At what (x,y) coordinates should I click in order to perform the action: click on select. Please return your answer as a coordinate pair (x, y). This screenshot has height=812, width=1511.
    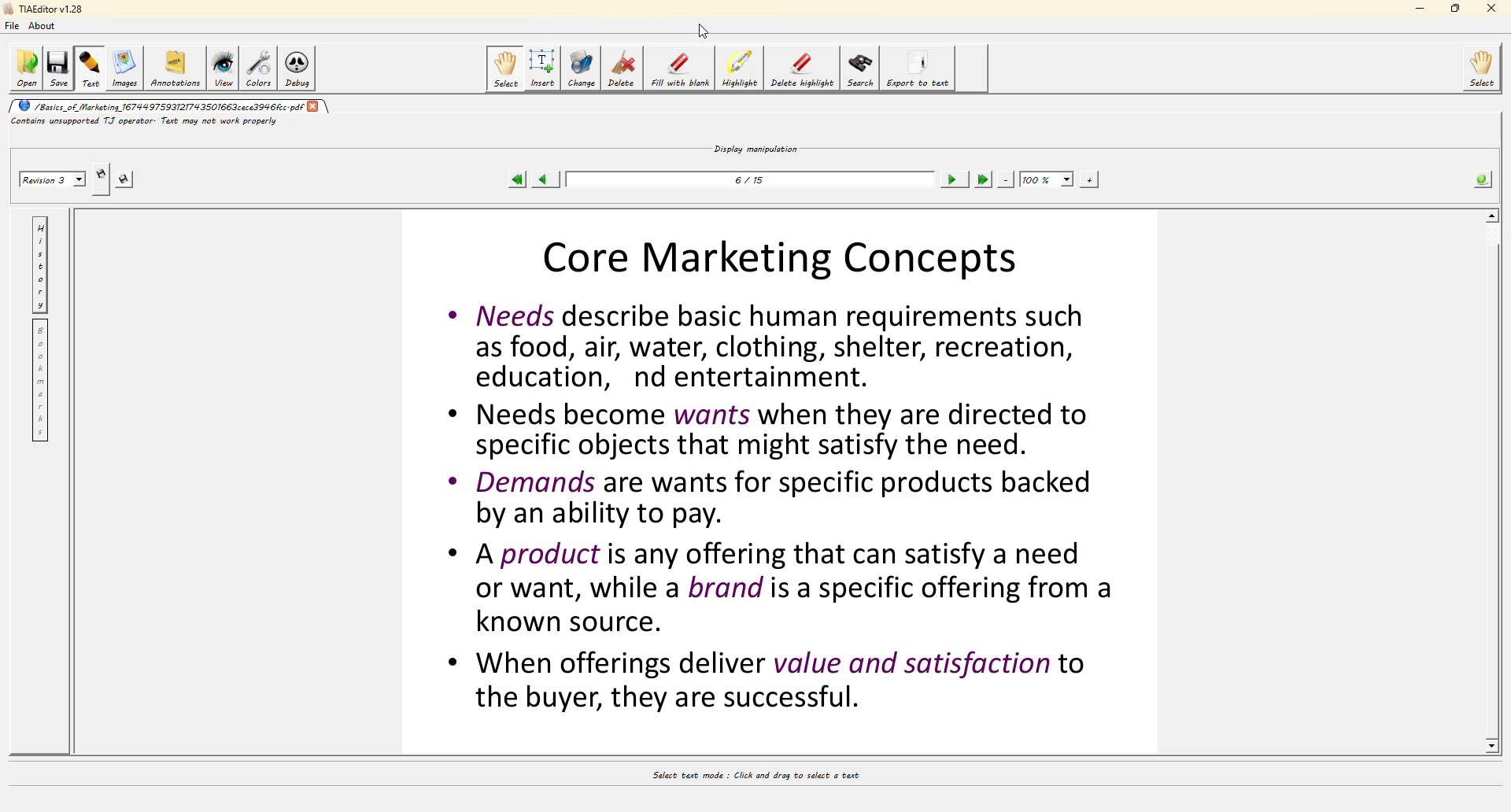
    Looking at the image, I should click on (507, 68).